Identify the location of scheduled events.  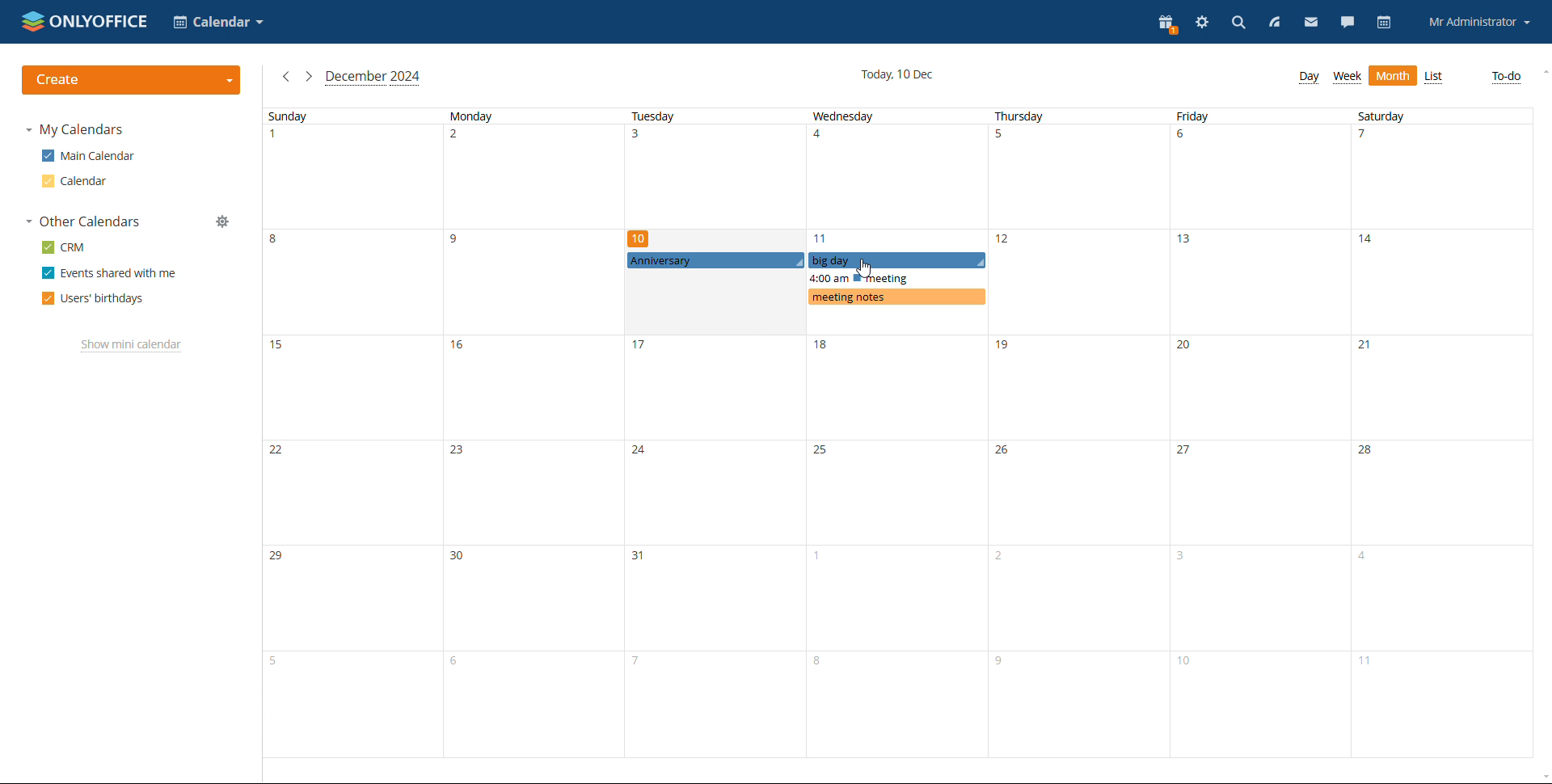
(807, 278).